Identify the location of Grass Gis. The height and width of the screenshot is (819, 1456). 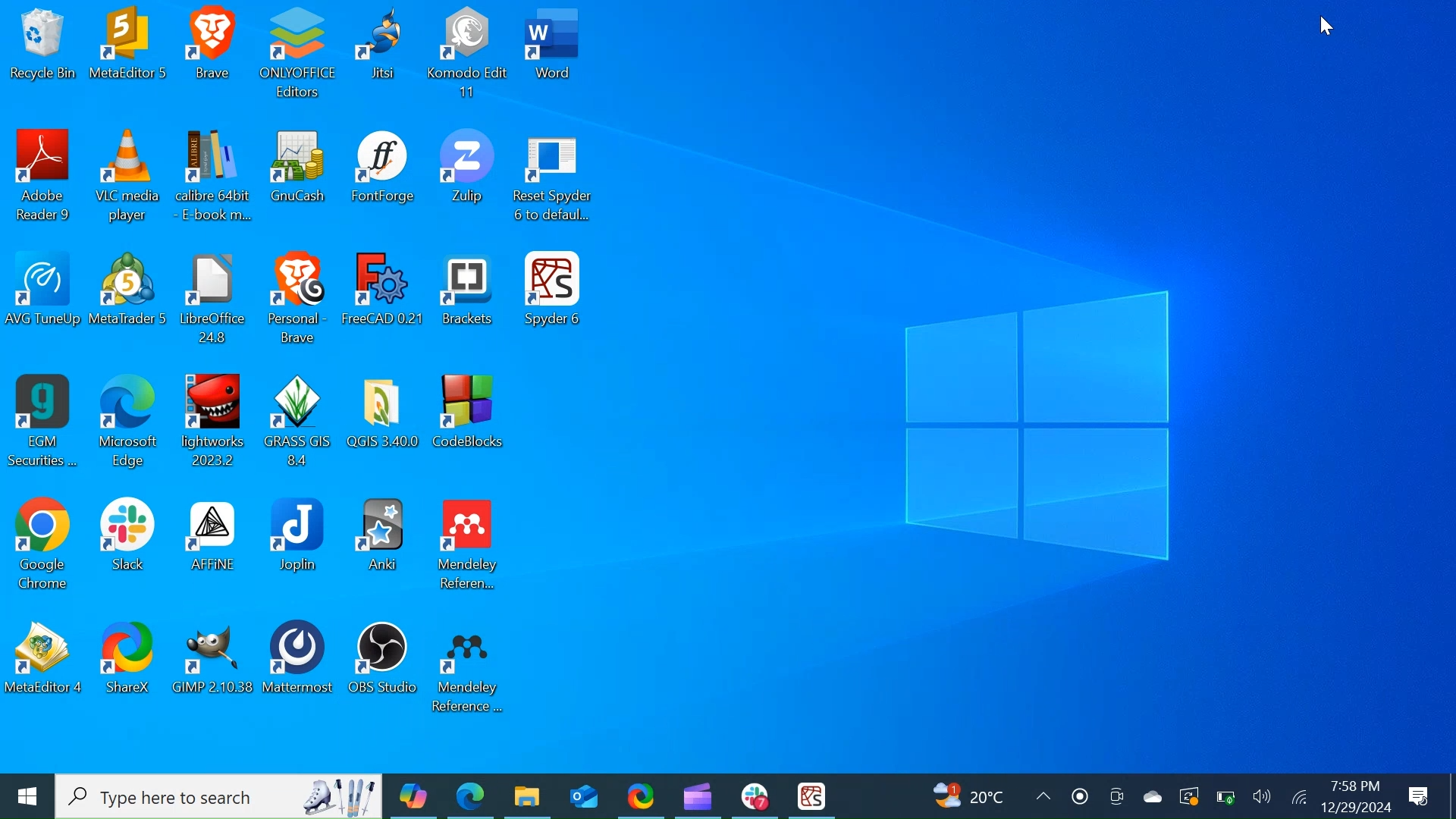
(300, 421).